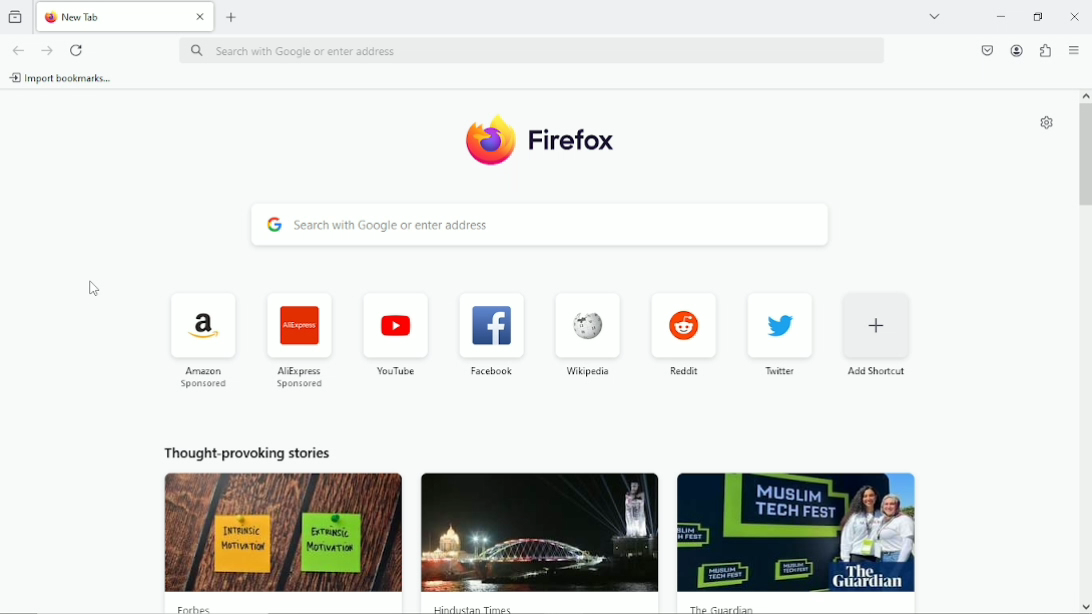 The image size is (1092, 614). I want to click on Restore down, so click(1038, 17).